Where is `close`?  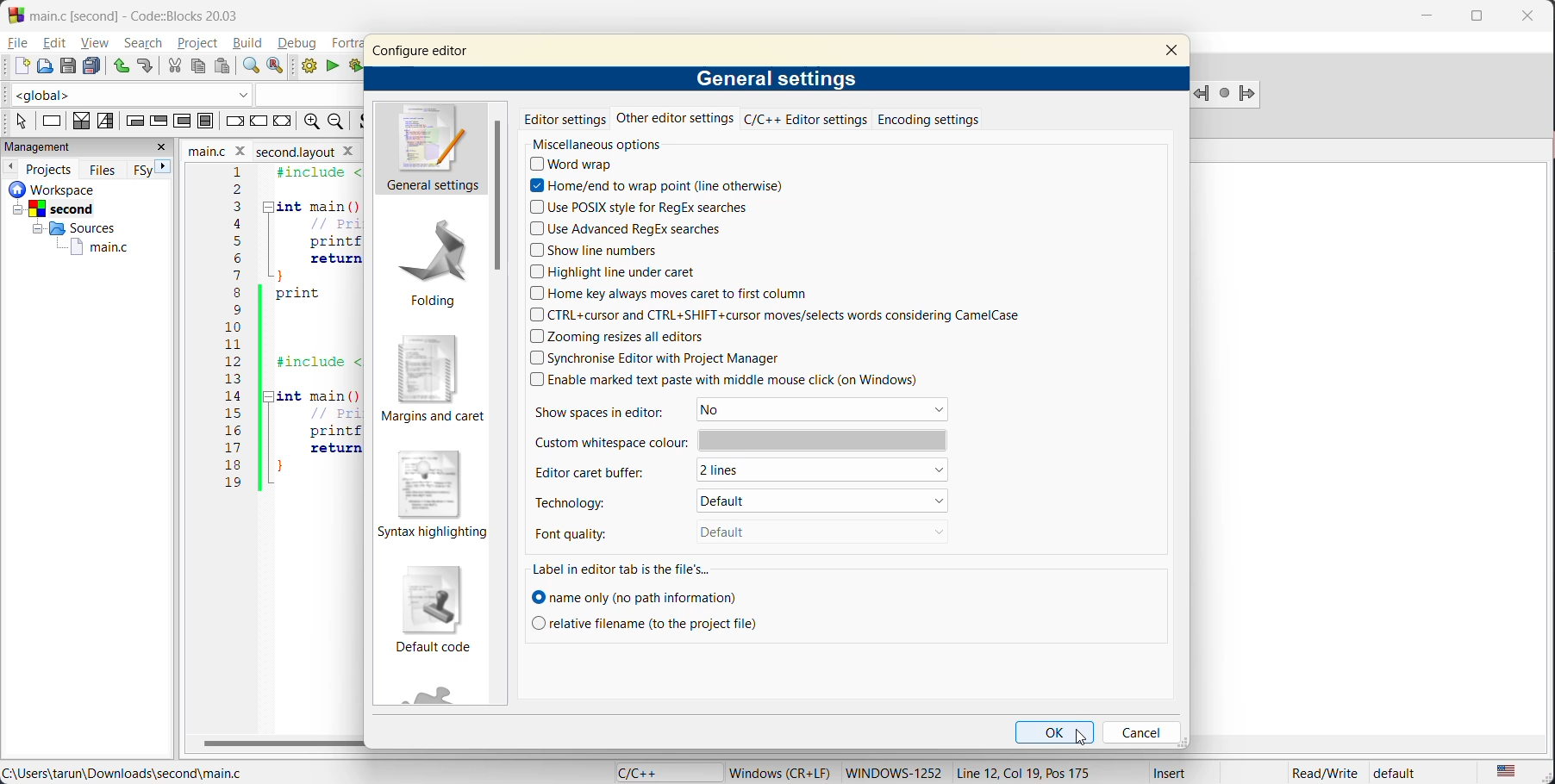
close is located at coordinates (1175, 51).